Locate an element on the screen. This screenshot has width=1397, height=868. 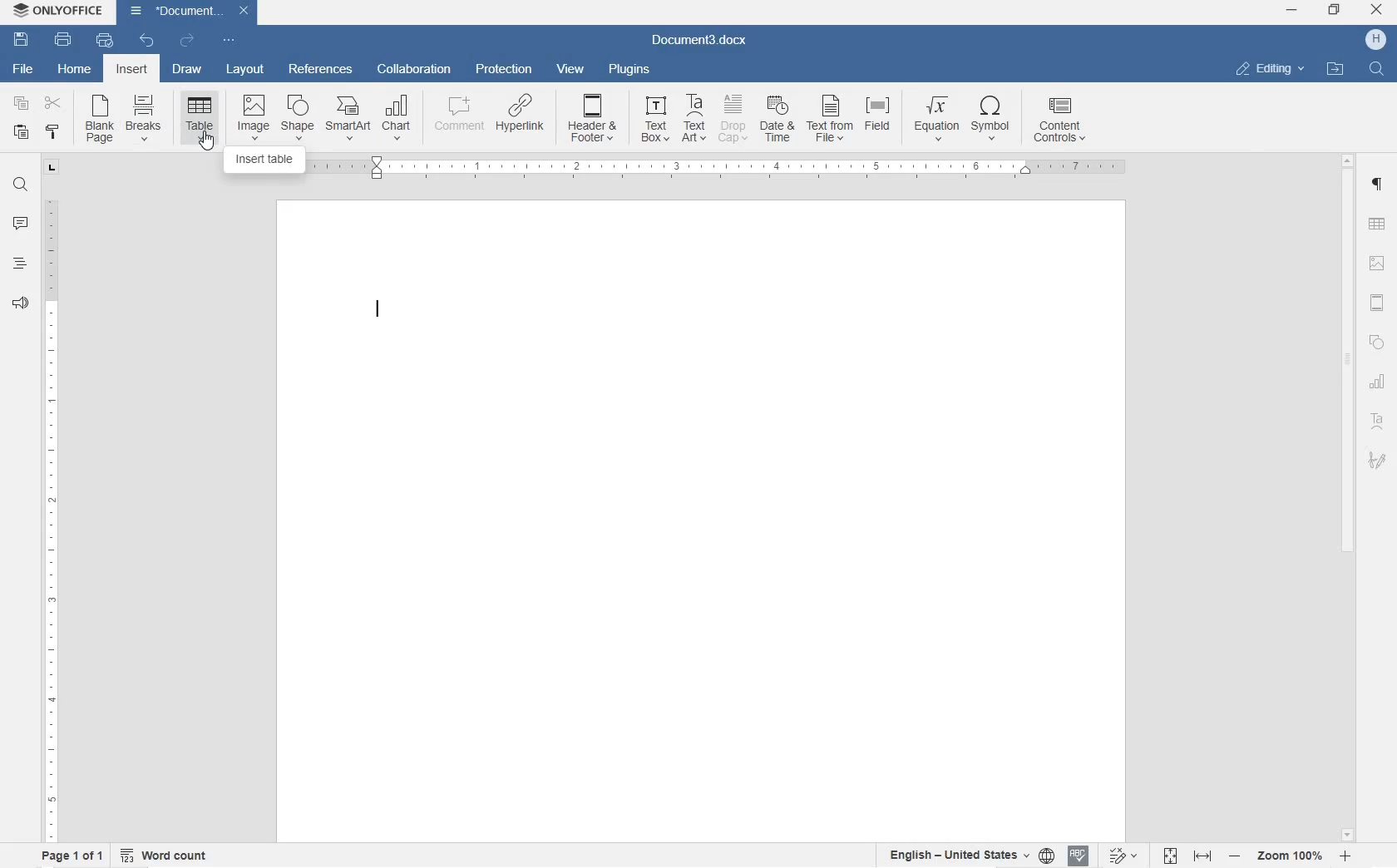
Drop Cap is located at coordinates (733, 119).